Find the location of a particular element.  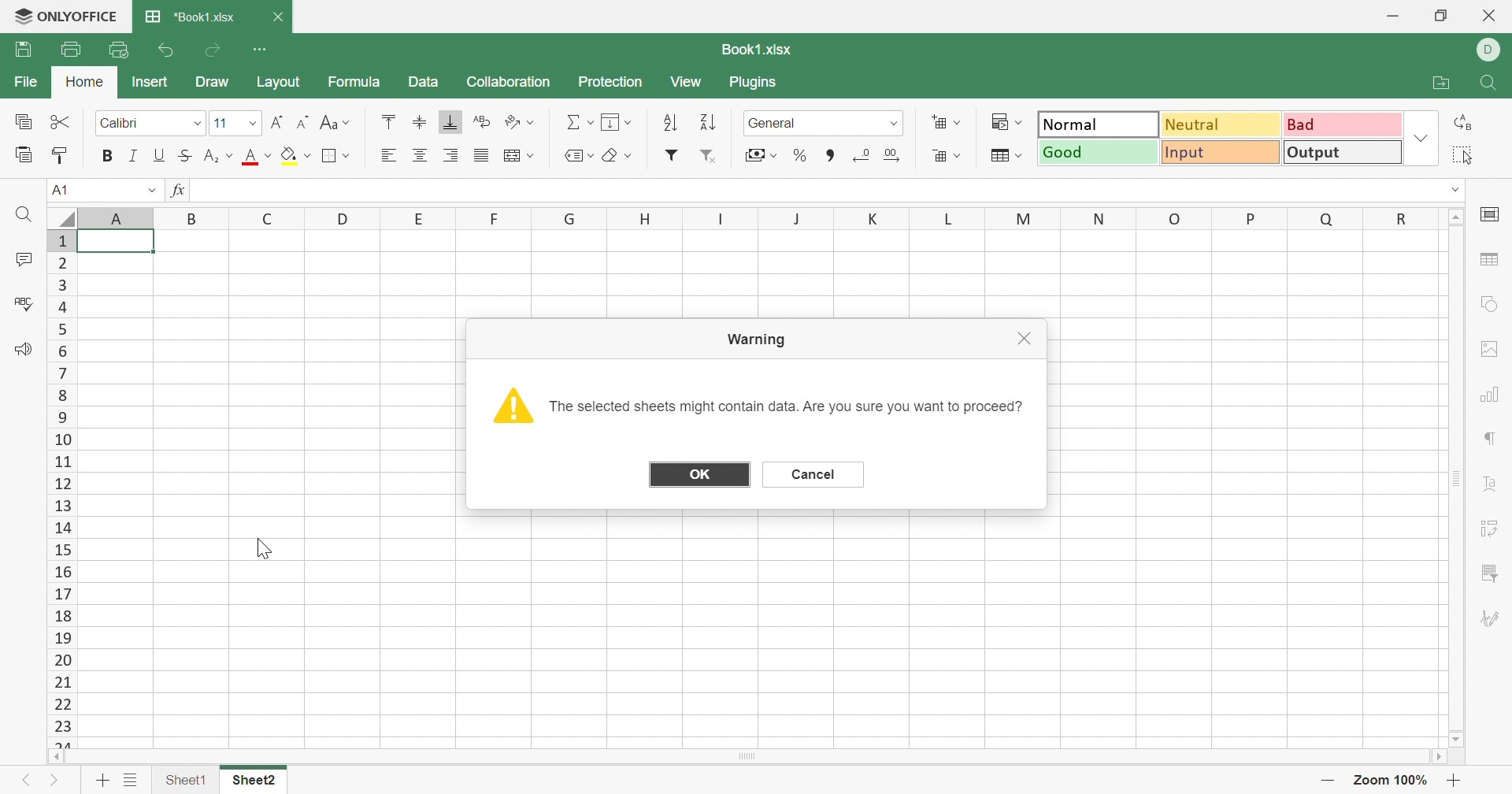

Remove cells is located at coordinates (939, 156).